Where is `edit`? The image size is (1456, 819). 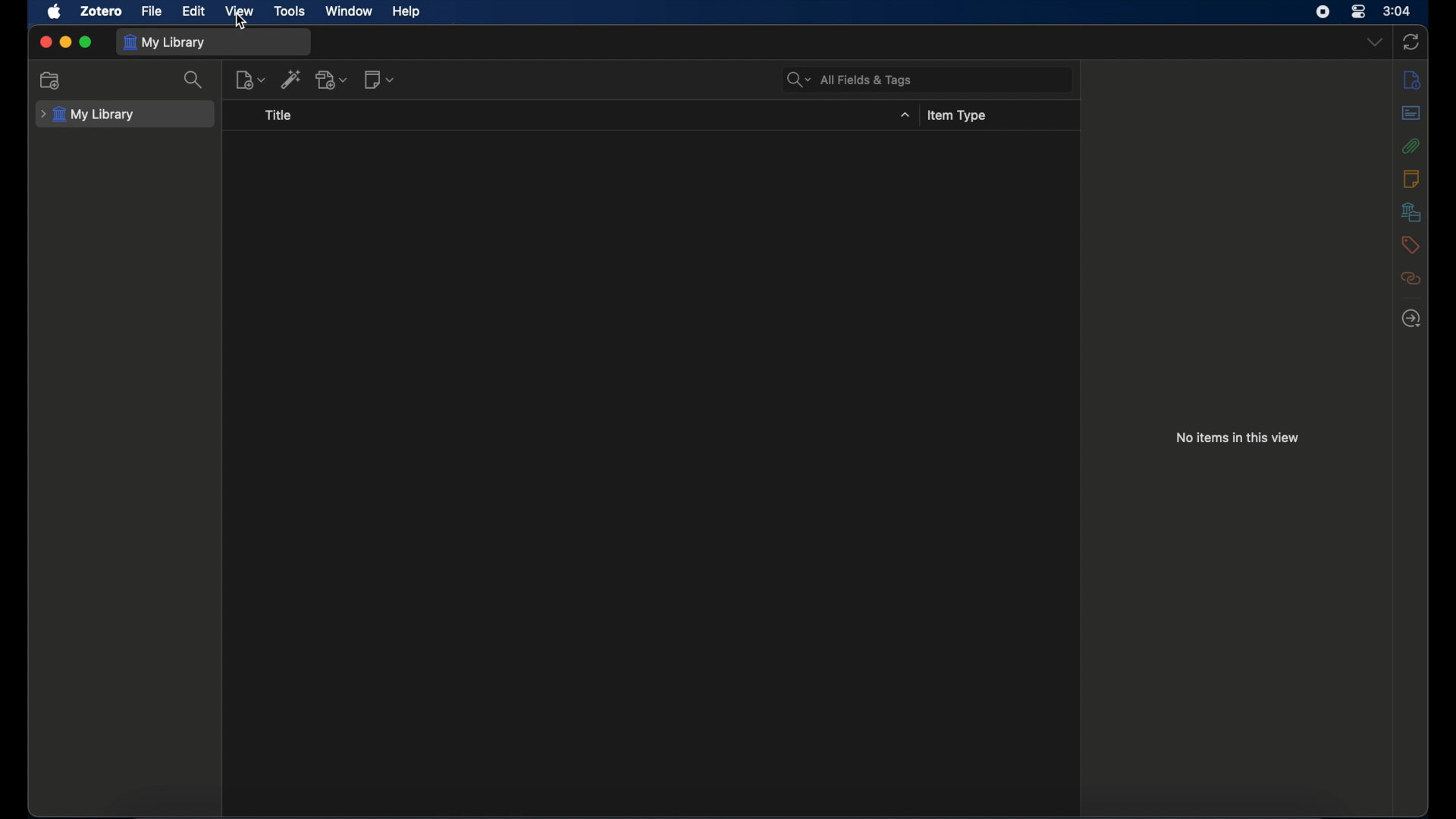 edit is located at coordinates (196, 10).